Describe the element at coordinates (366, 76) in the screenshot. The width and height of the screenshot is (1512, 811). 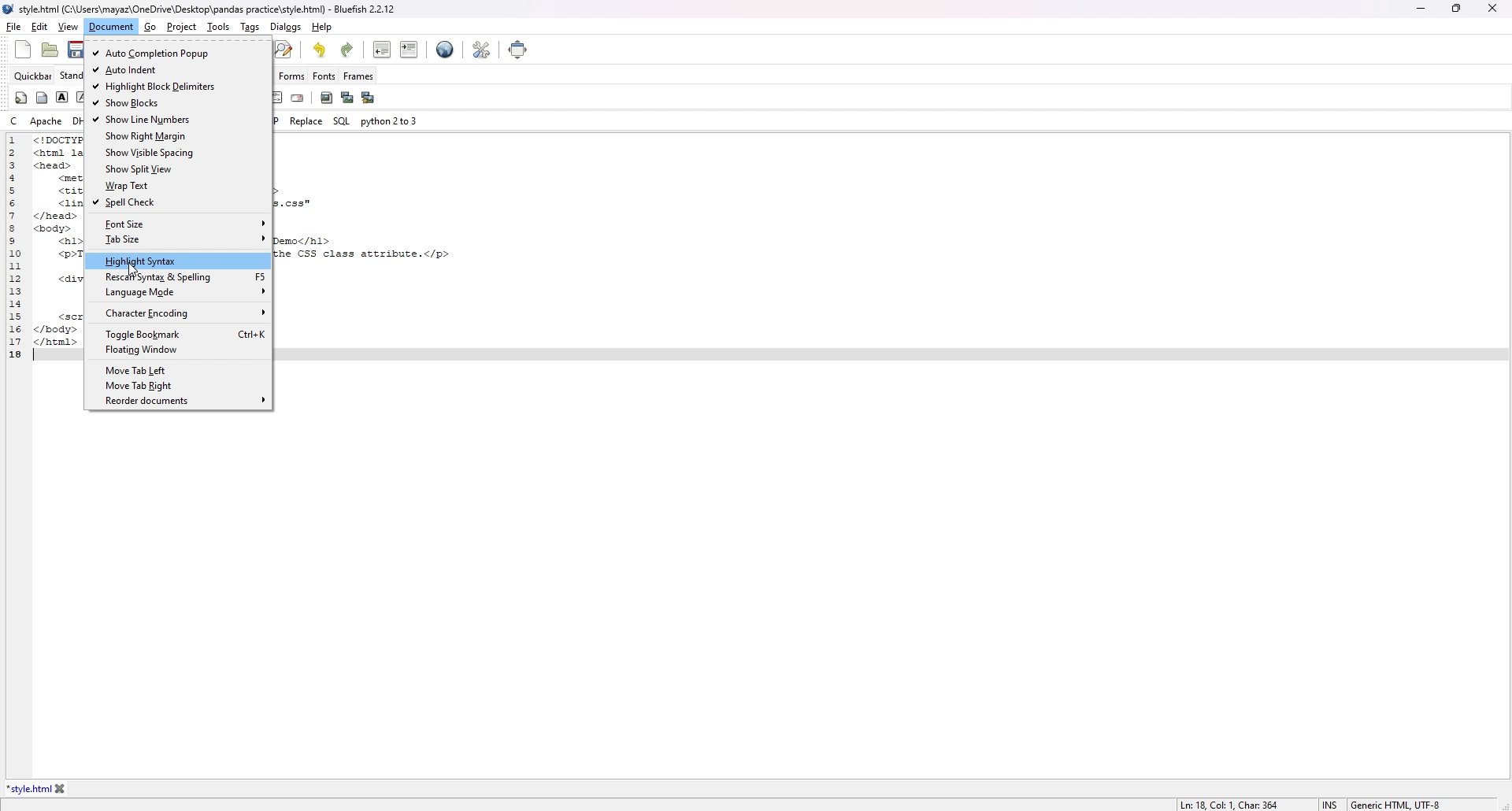
I see `frames` at that location.